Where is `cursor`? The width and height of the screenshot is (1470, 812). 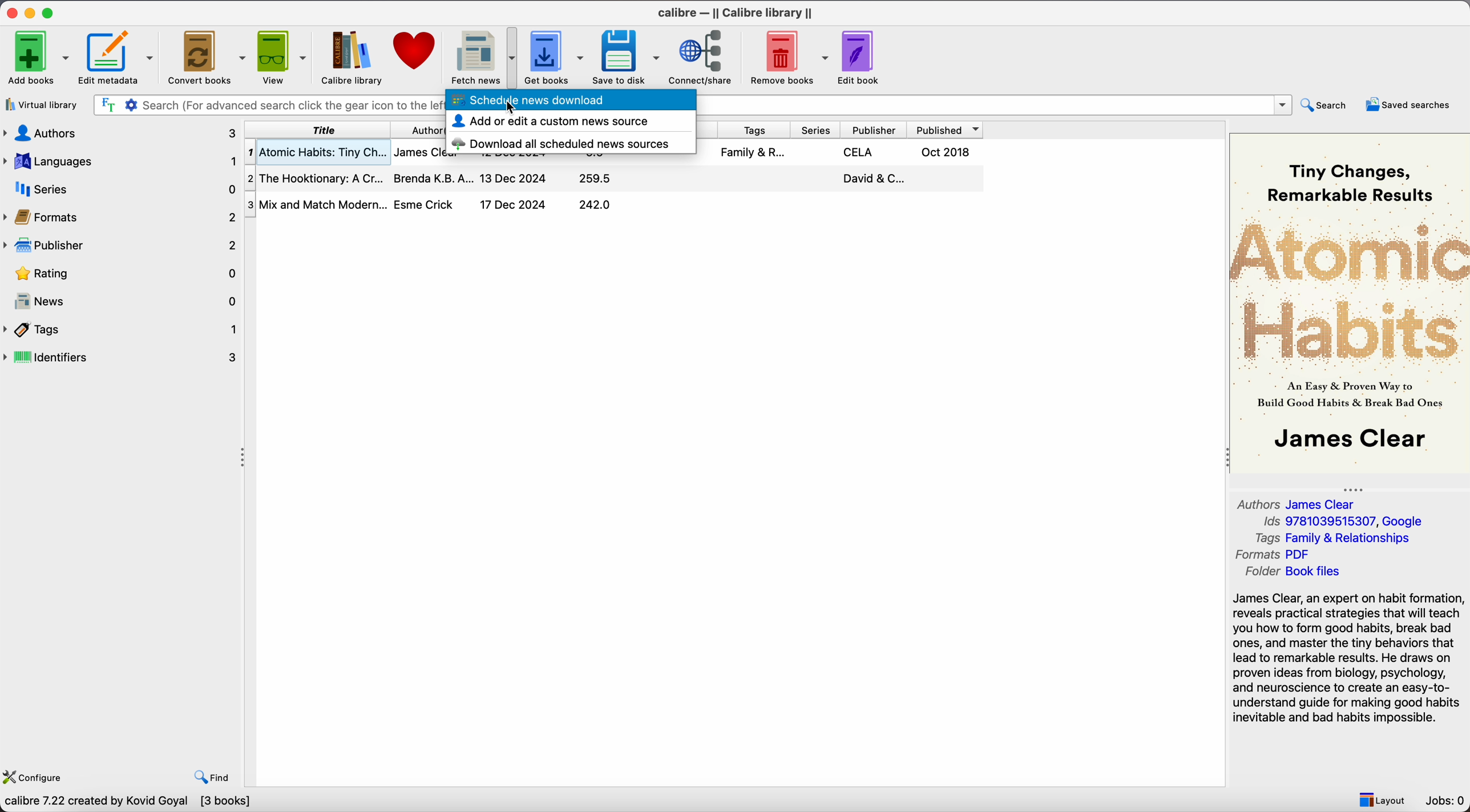
cursor is located at coordinates (510, 108).